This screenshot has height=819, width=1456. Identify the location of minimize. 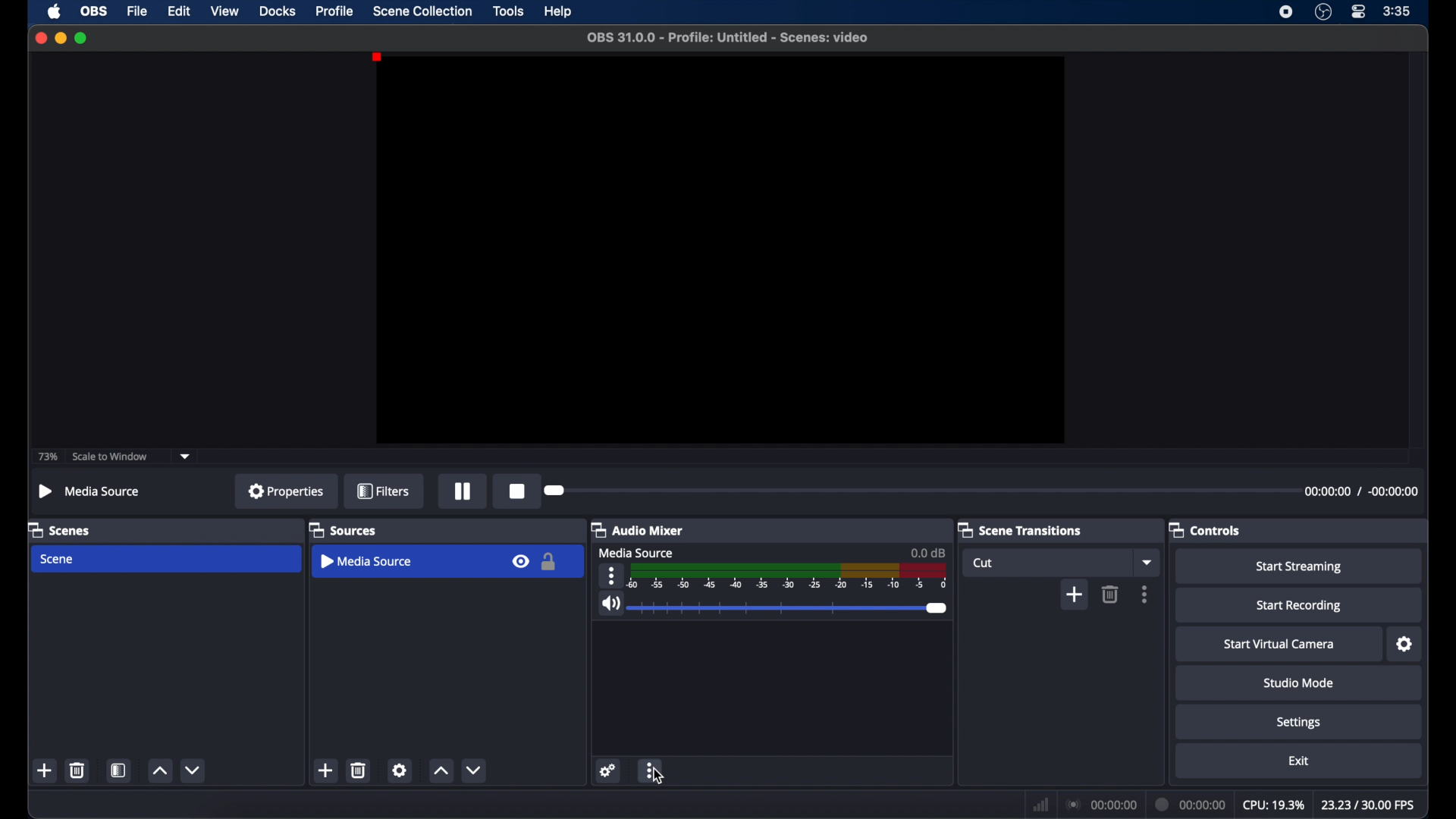
(60, 39).